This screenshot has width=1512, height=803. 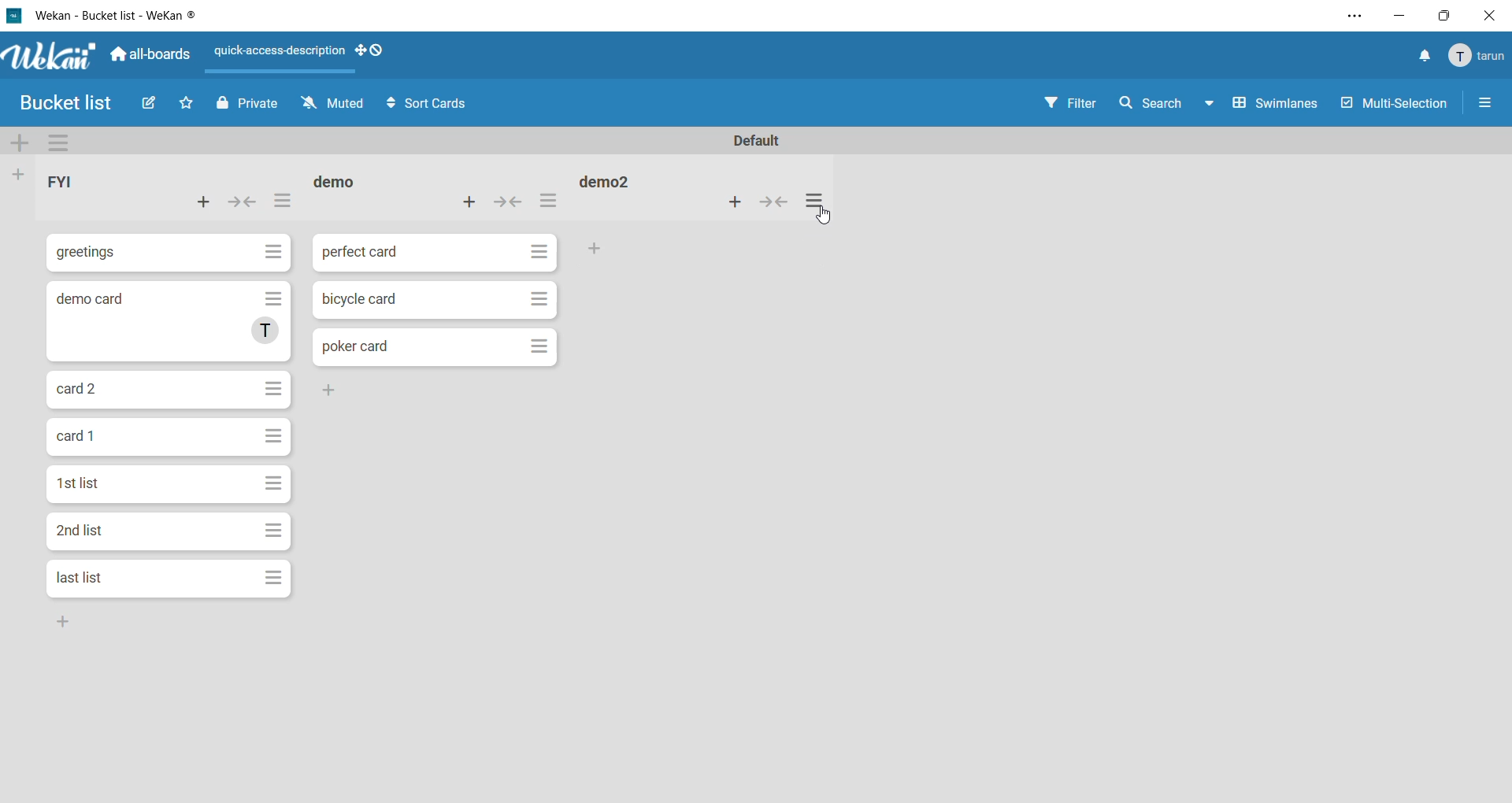 What do you see at coordinates (1394, 16) in the screenshot?
I see `minimize` at bounding box center [1394, 16].